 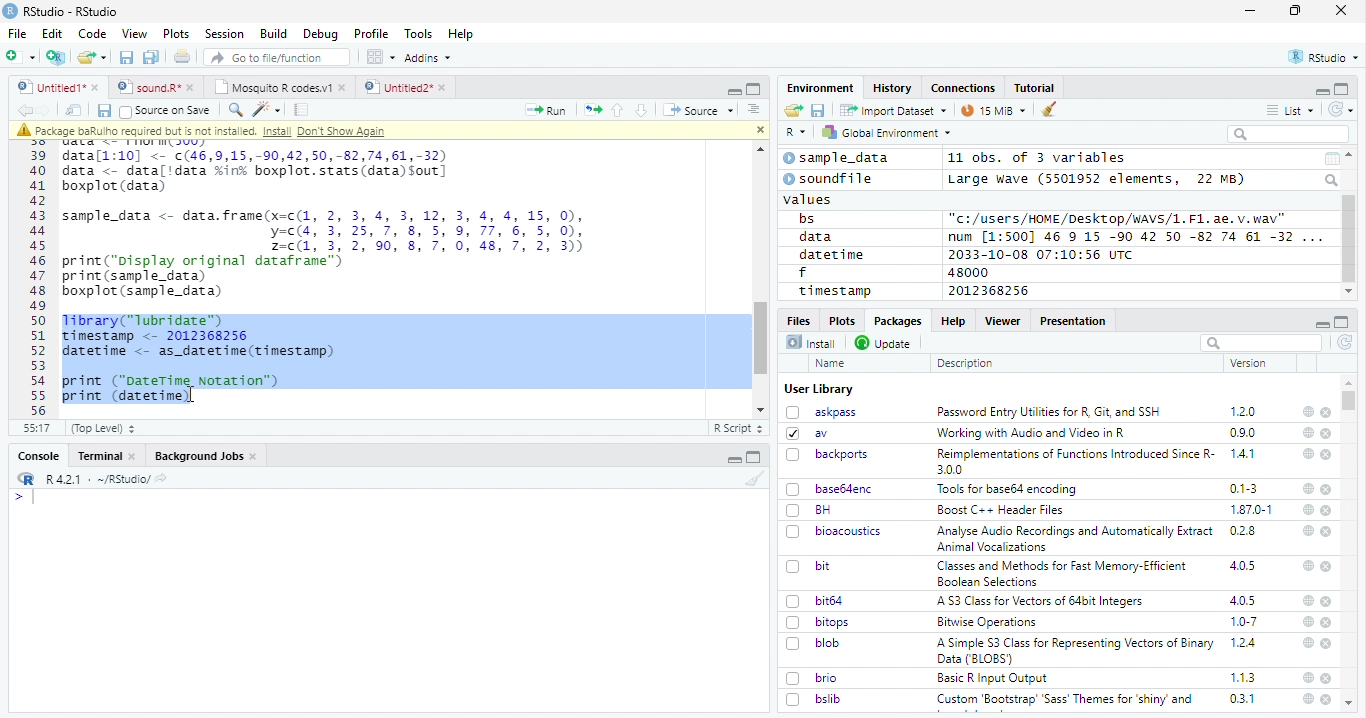 What do you see at coordinates (762, 410) in the screenshot?
I see `scroll down` at bounding box center [762, 410].